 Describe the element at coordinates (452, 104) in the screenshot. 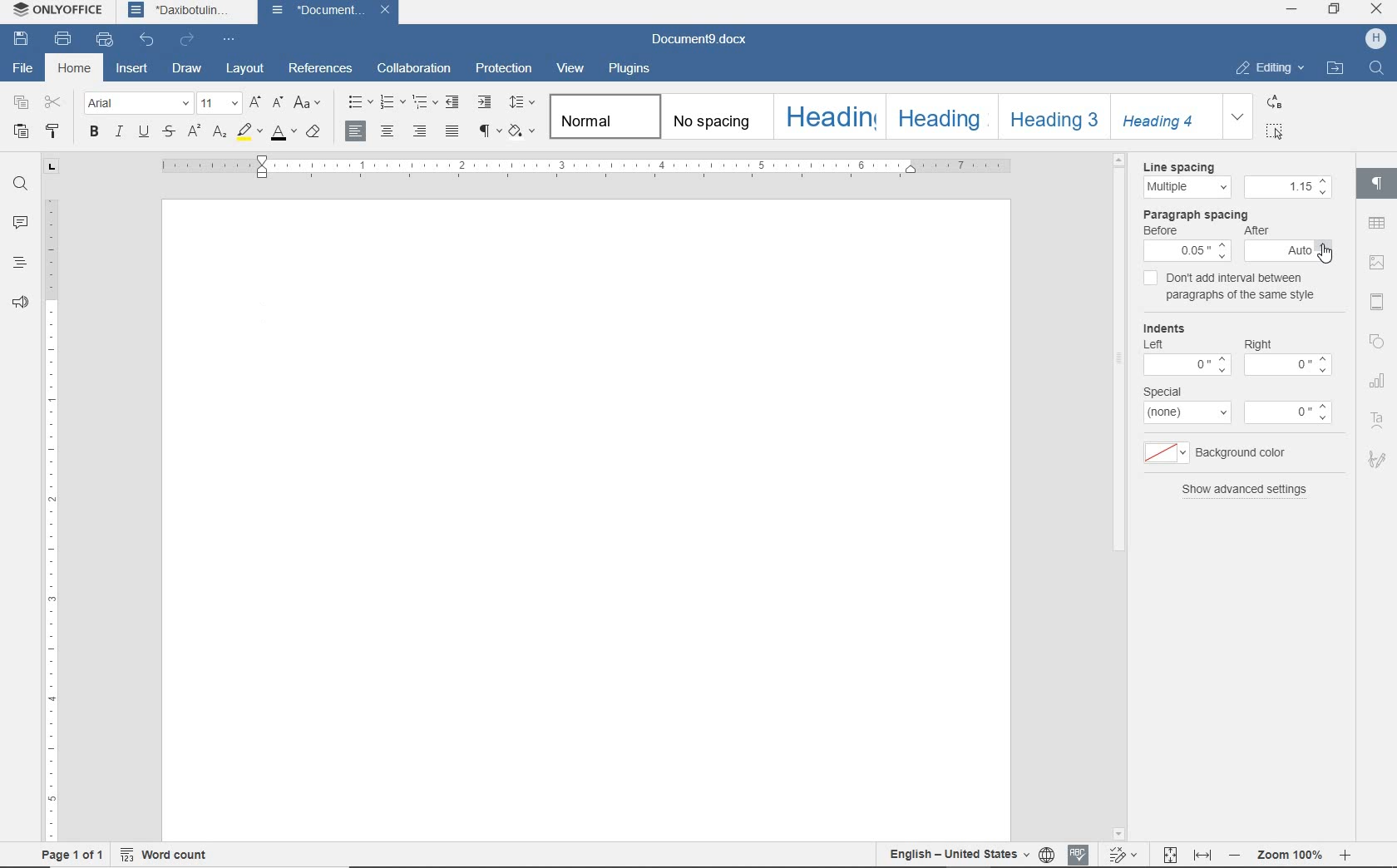

I see `decrease indent` at that location.